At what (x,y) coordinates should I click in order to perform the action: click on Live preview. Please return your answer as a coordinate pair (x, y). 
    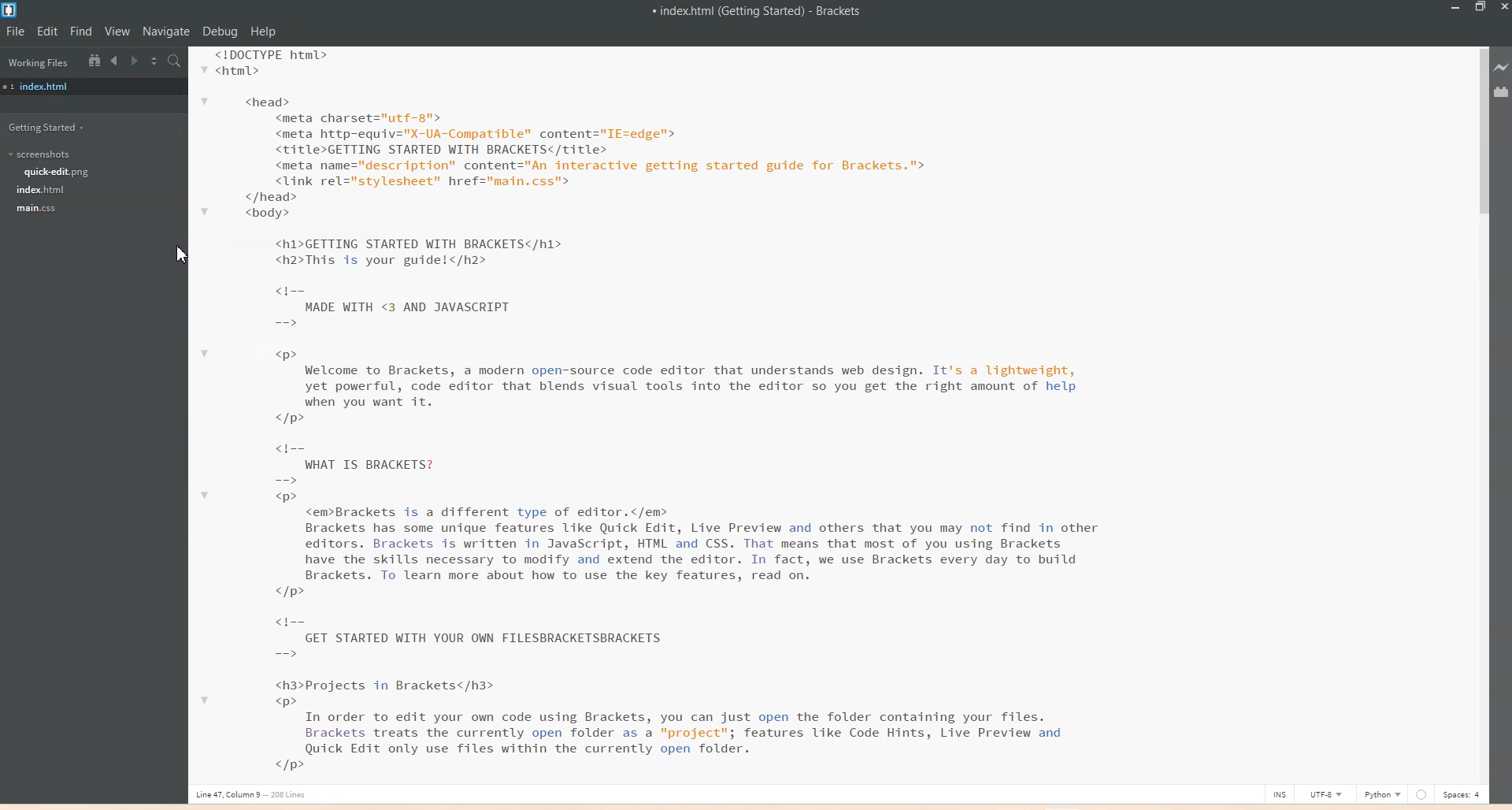
    Looking at the image, I should click on (1502, 69).